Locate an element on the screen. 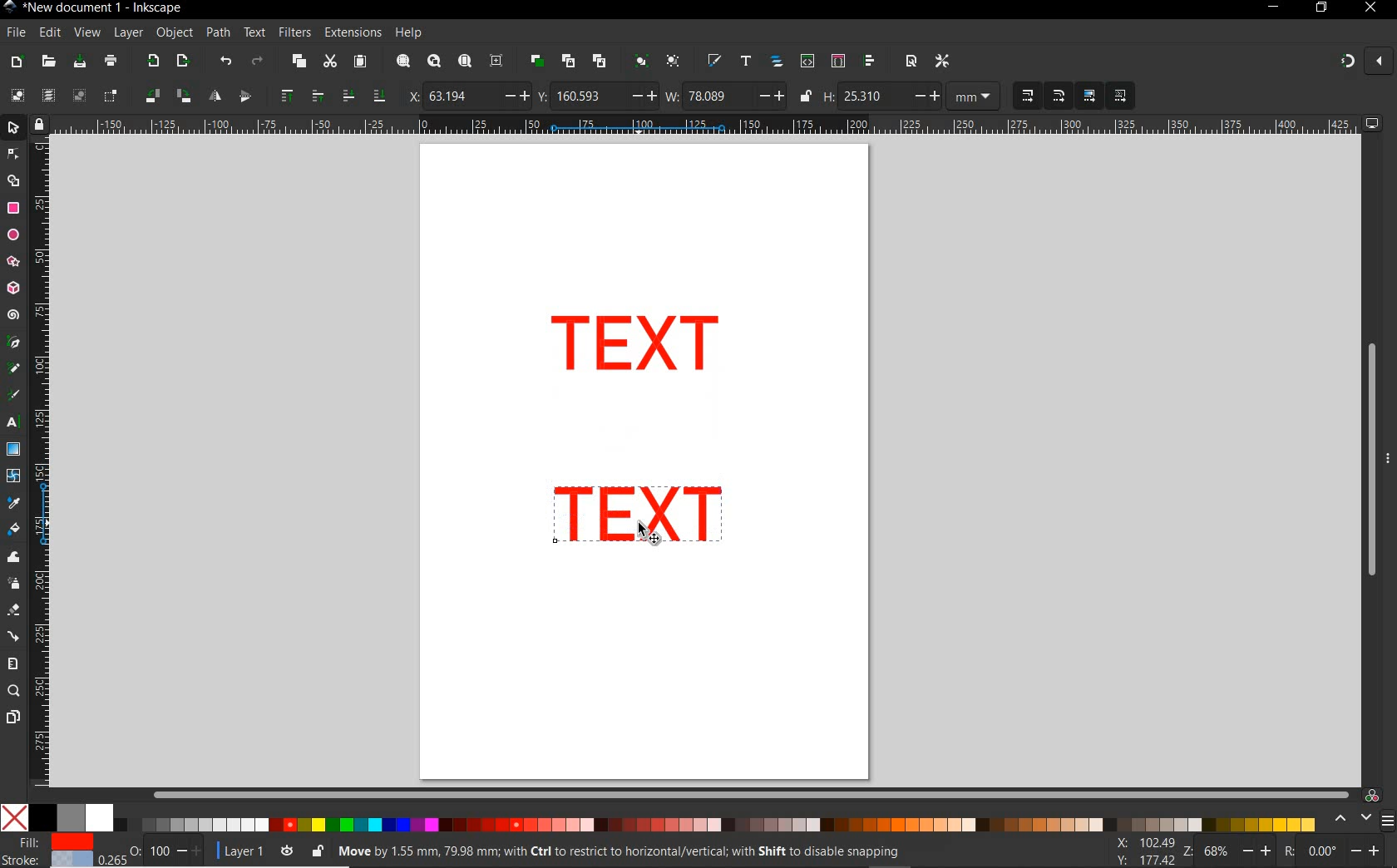 The width and height of the screenshot is (1397, 868). new is located at coordinates (17, 61).